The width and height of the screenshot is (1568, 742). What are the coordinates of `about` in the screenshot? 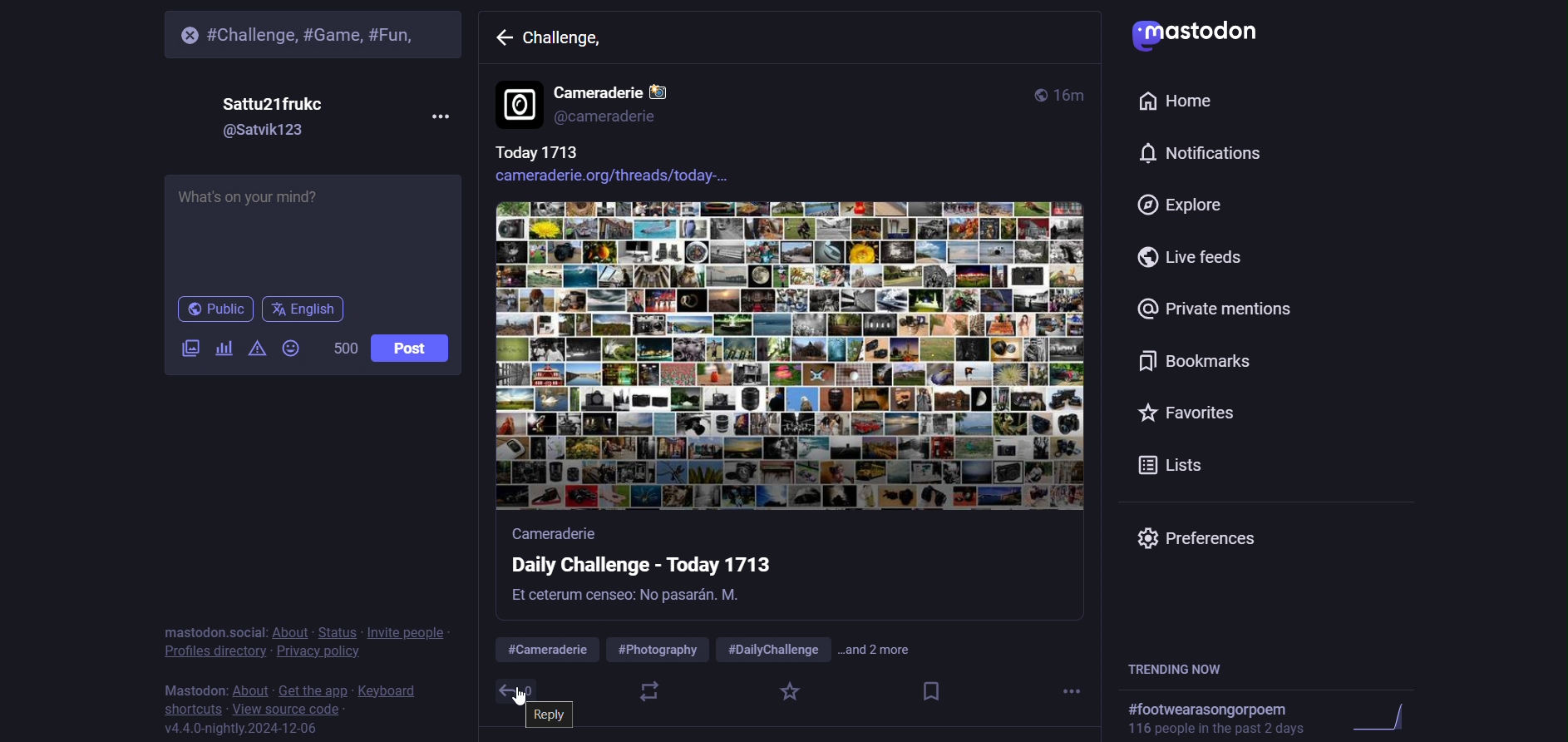 It's located at (290, 626).